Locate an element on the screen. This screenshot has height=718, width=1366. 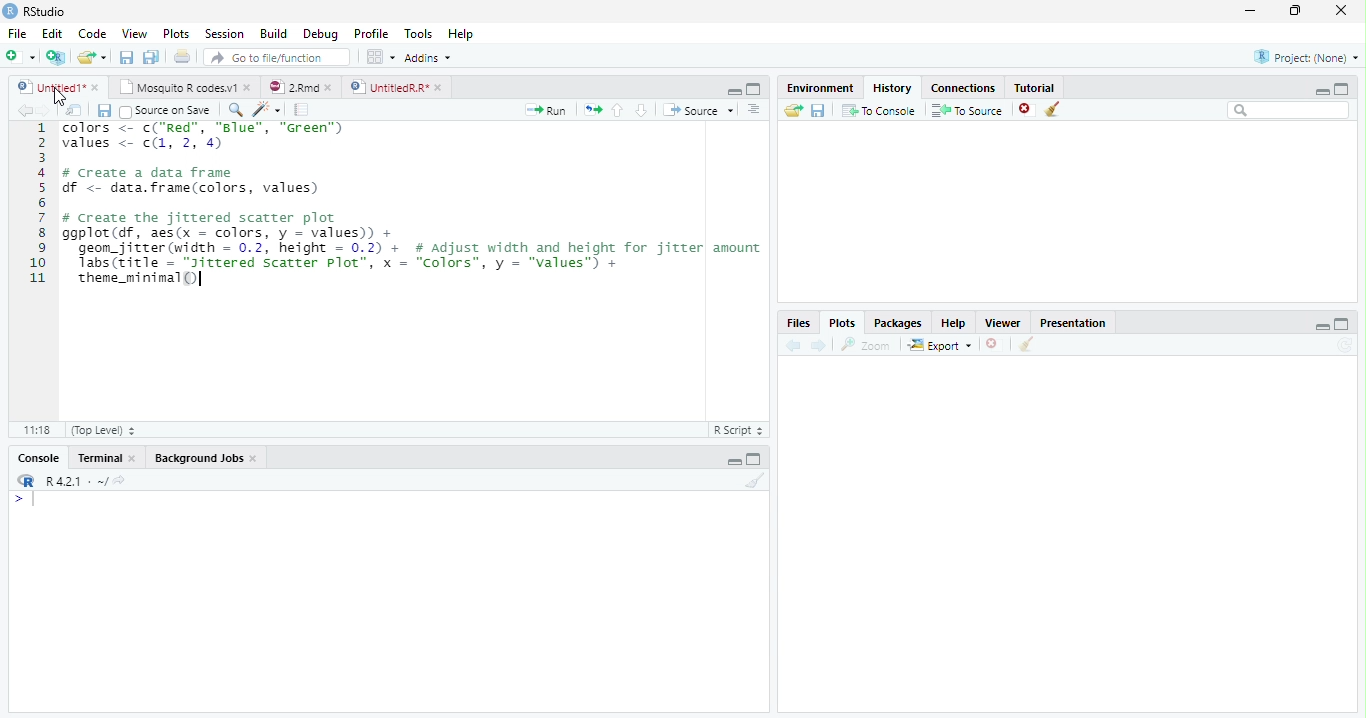
Clear all plots is located at coordinates (1025, 344).